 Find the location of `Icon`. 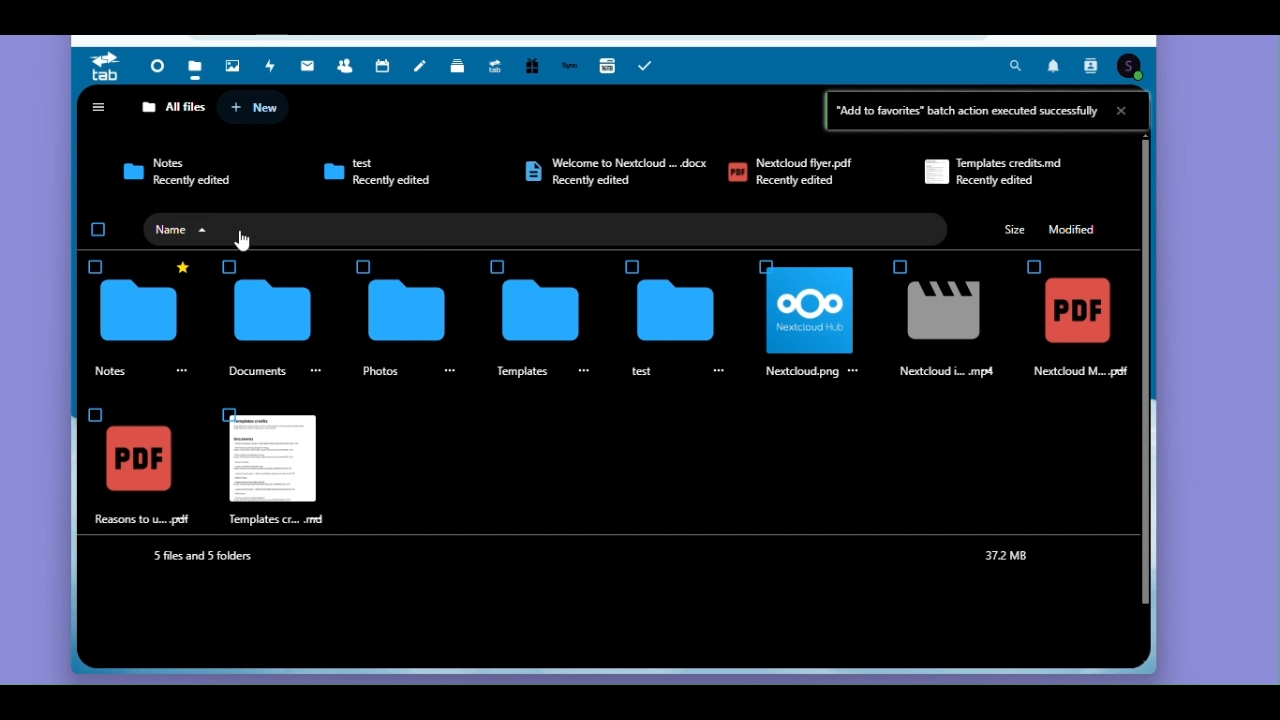

Icon is located at coordinates (542, 312).